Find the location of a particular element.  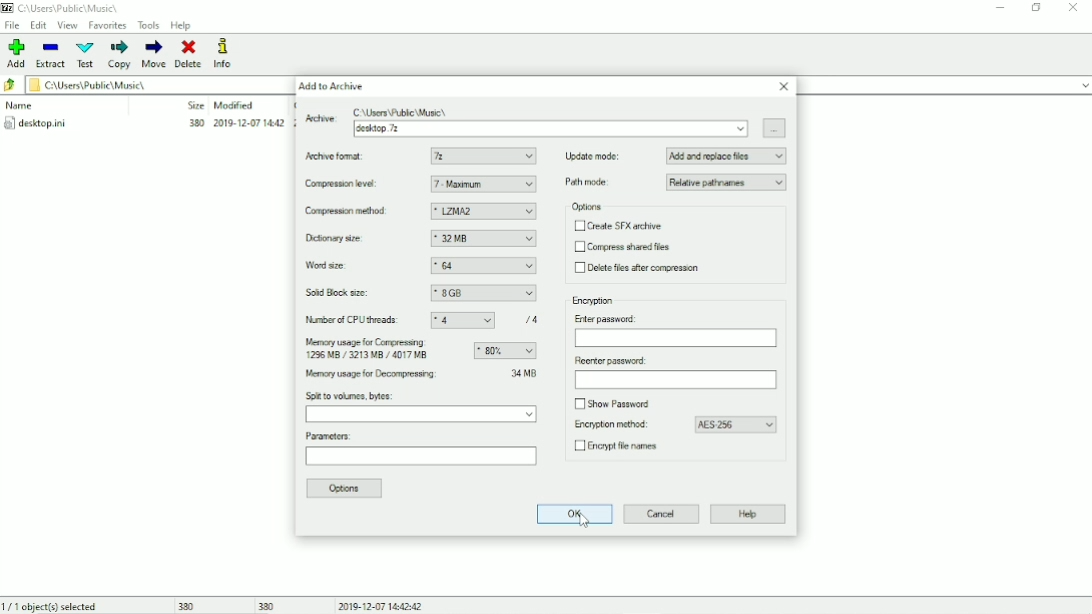

Size is located at coordinates (195, 105).